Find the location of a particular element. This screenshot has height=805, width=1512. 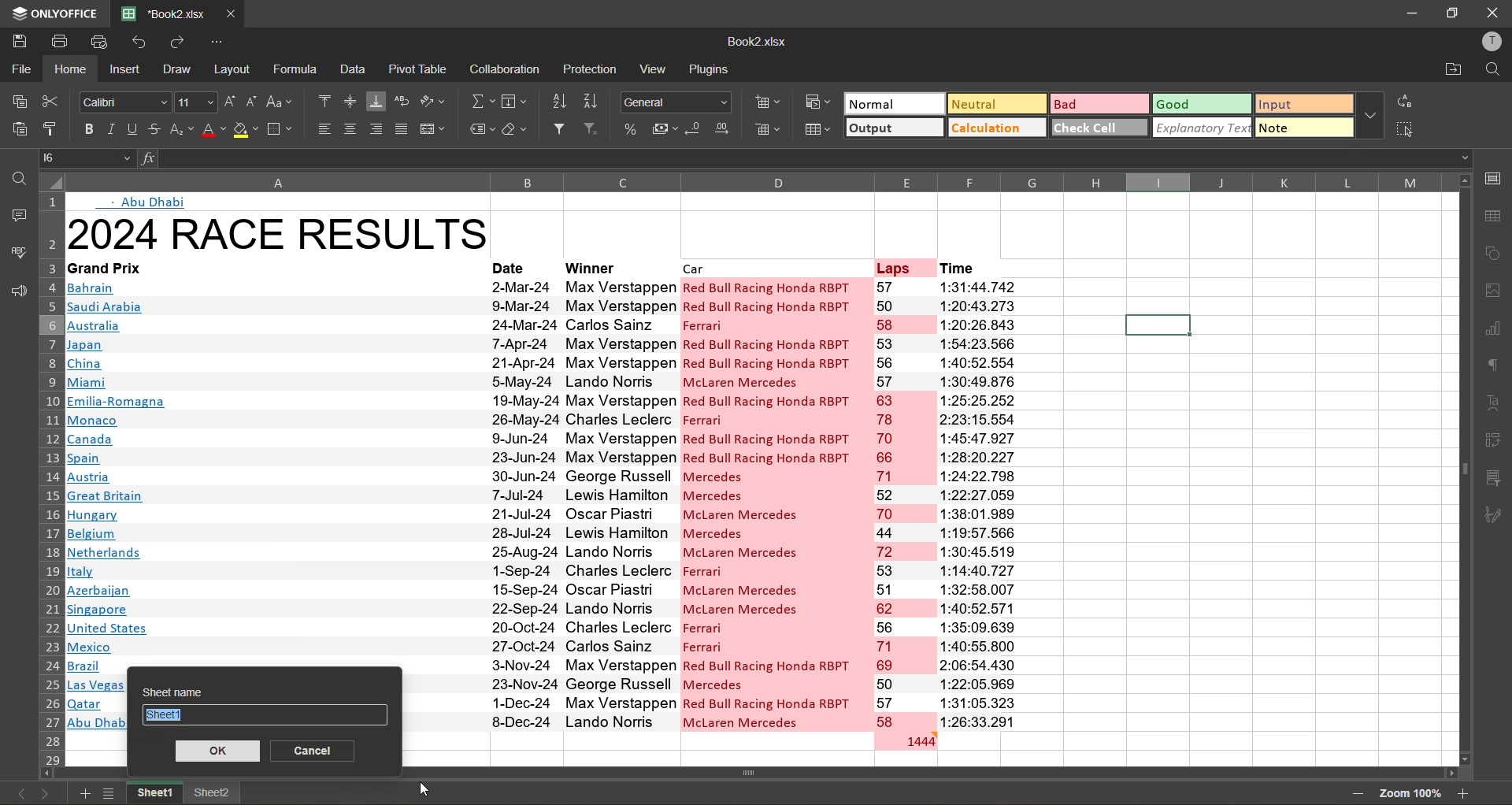

shapes is located at coordinates (1493, 251).